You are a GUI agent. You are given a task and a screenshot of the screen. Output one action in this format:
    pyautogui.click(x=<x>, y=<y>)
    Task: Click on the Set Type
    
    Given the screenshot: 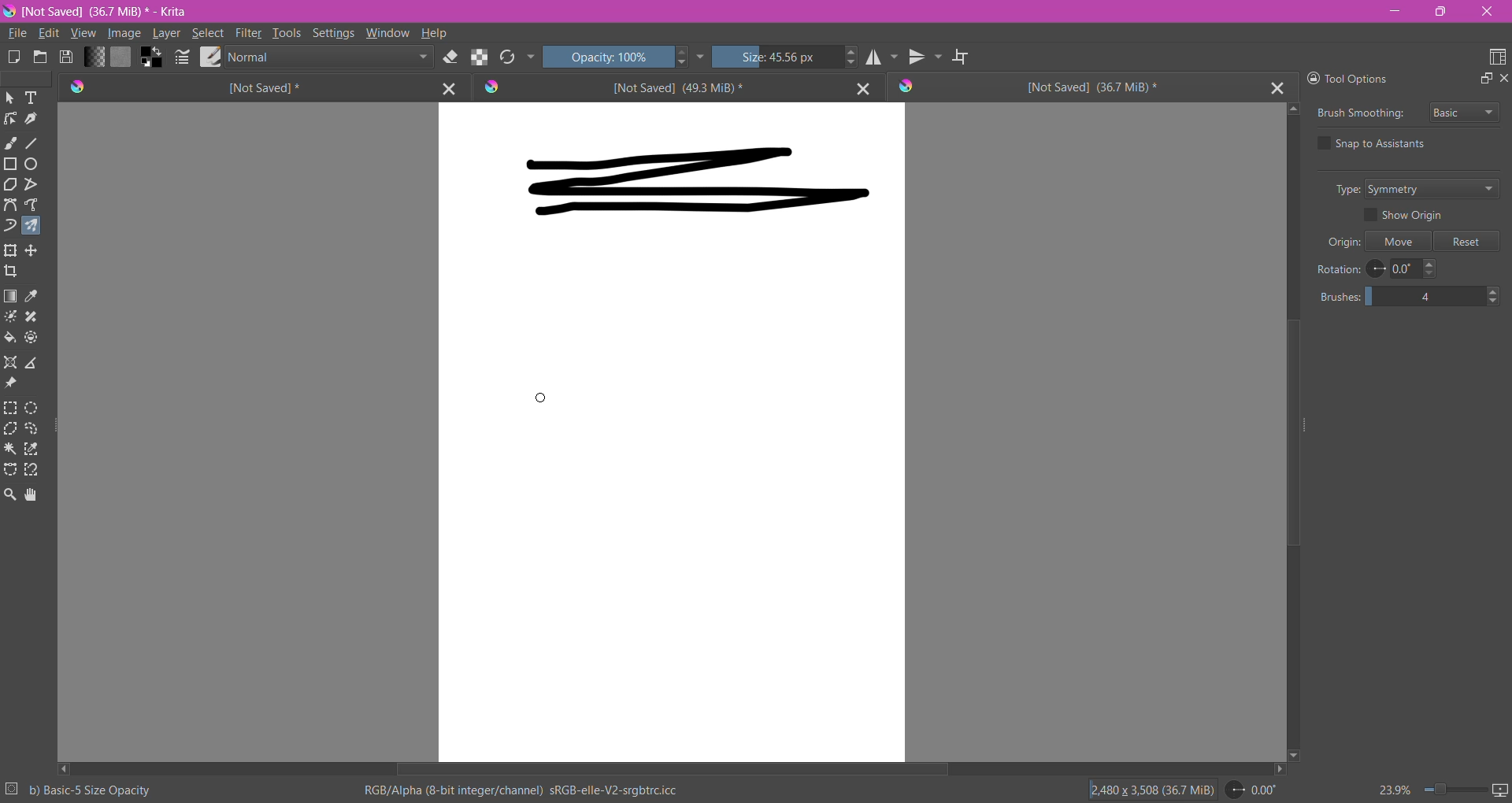 What is the action you would take?
    pyautogui.click(x=1440, y=190)
    